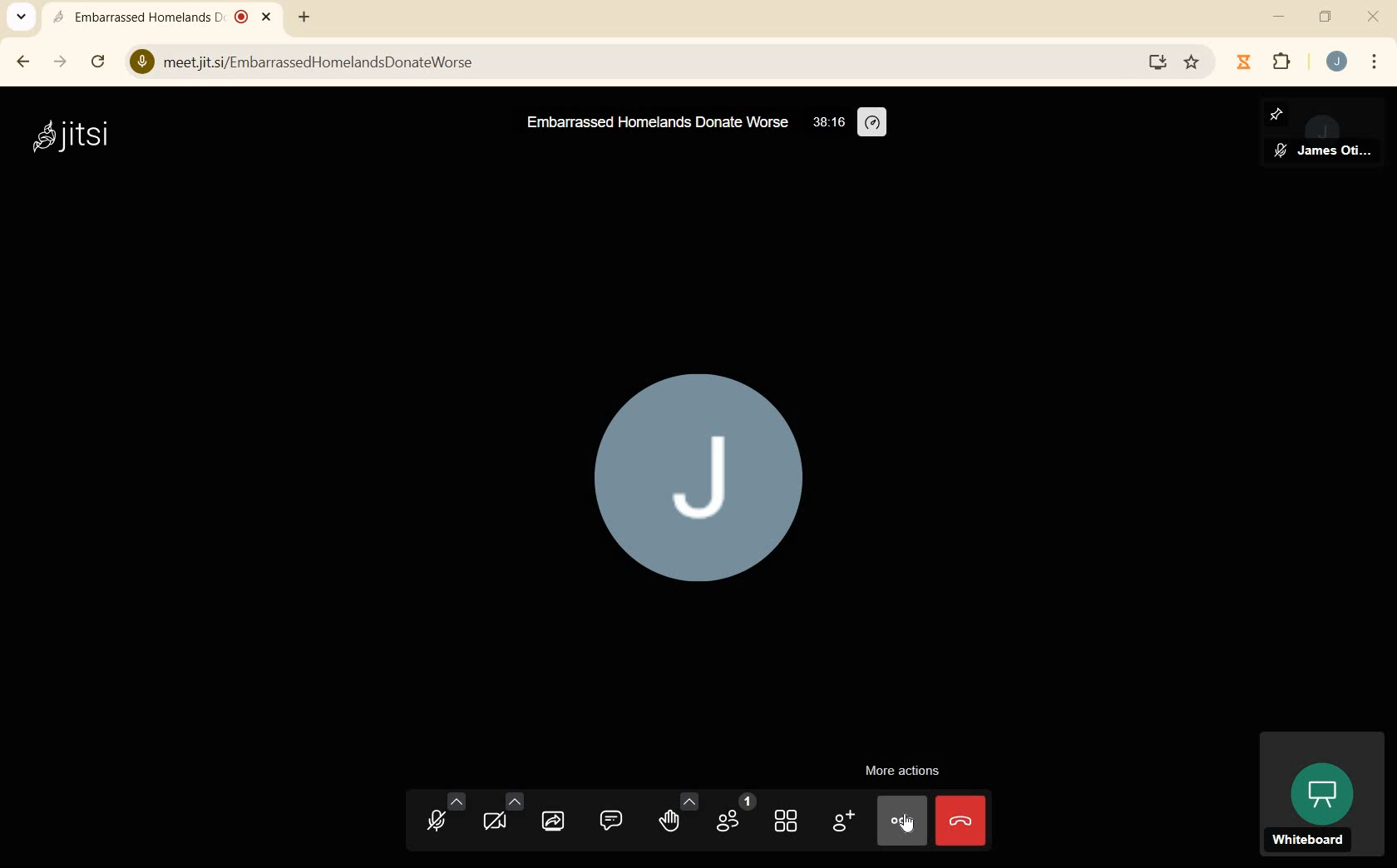  Describe the element at coordinates (20, 62) in the screenshot. I see `back` at that location.